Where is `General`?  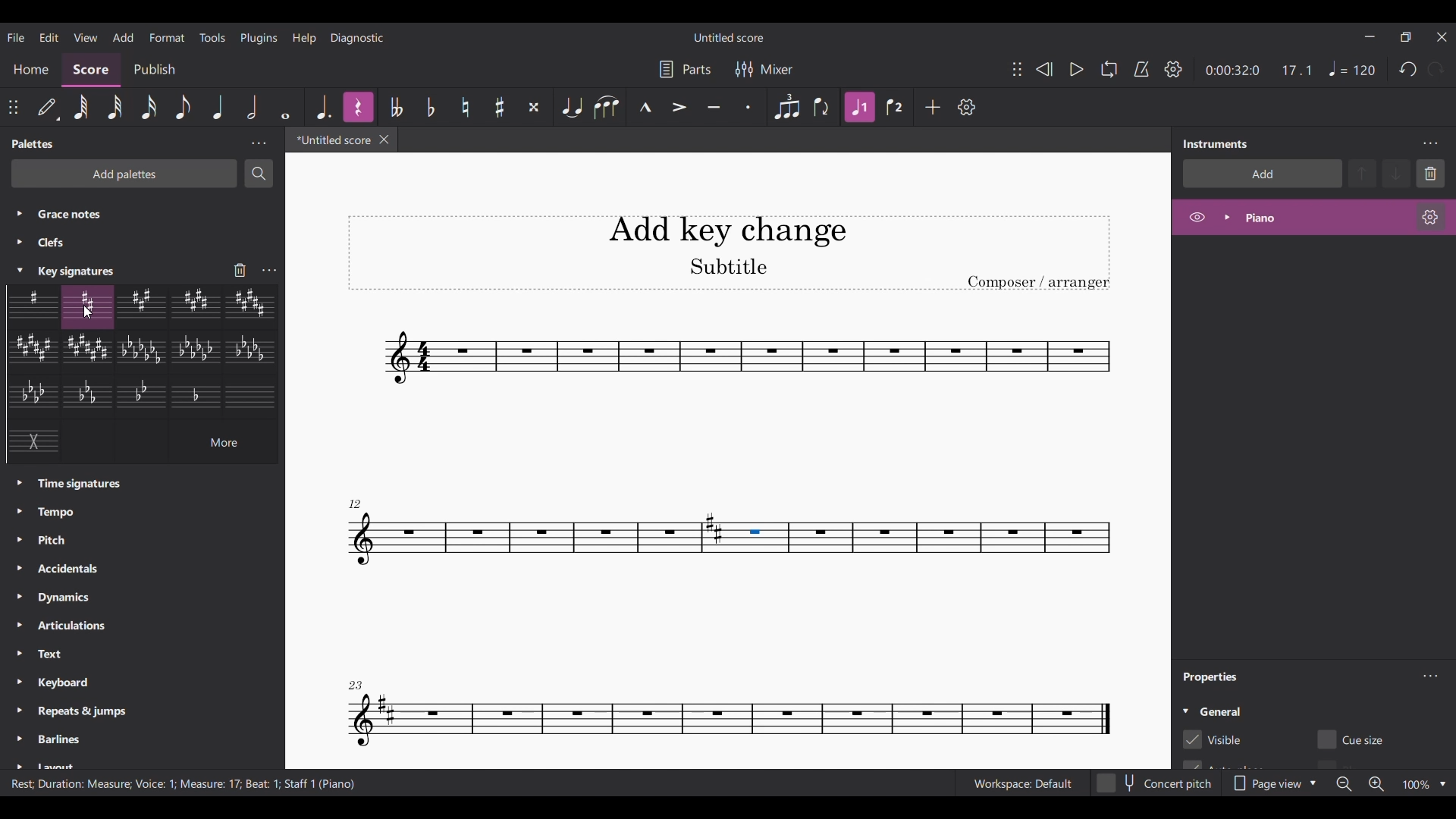 General is located at coordinates (1220, 711).